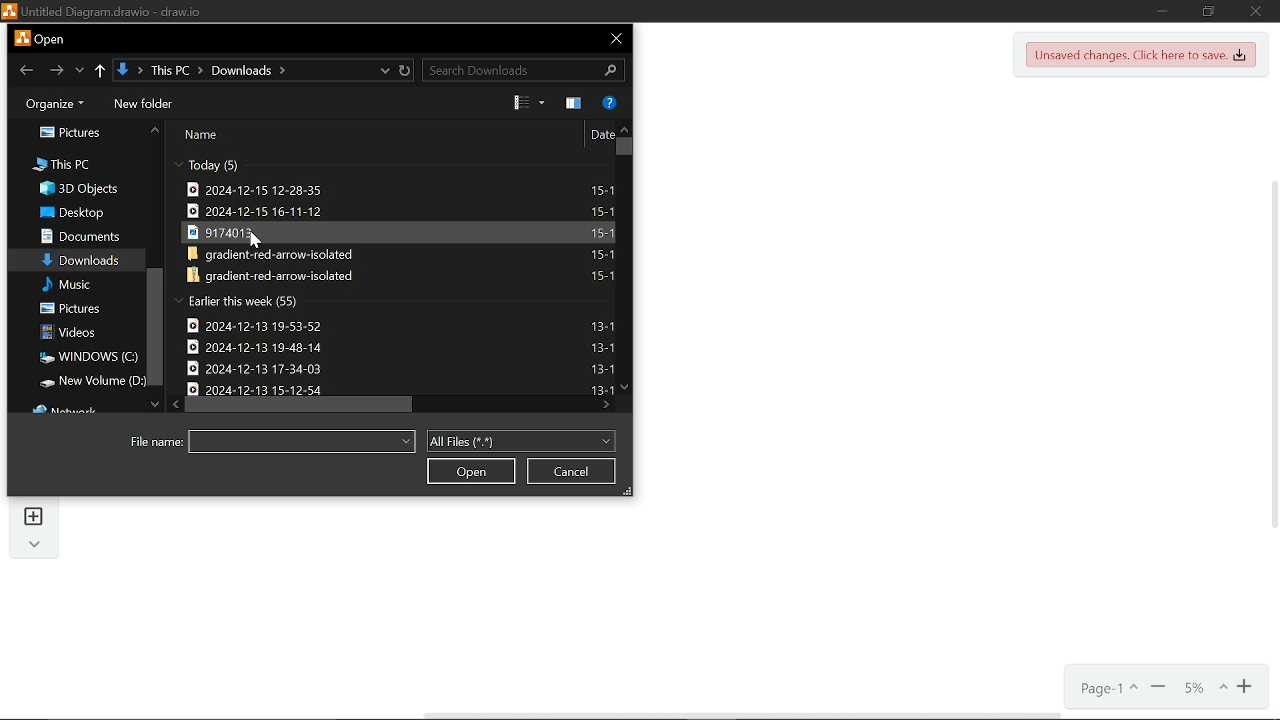  What do you see at coordinates (34, 515) in the screenshot?
I see `insert` at bounding box center [34, 515].